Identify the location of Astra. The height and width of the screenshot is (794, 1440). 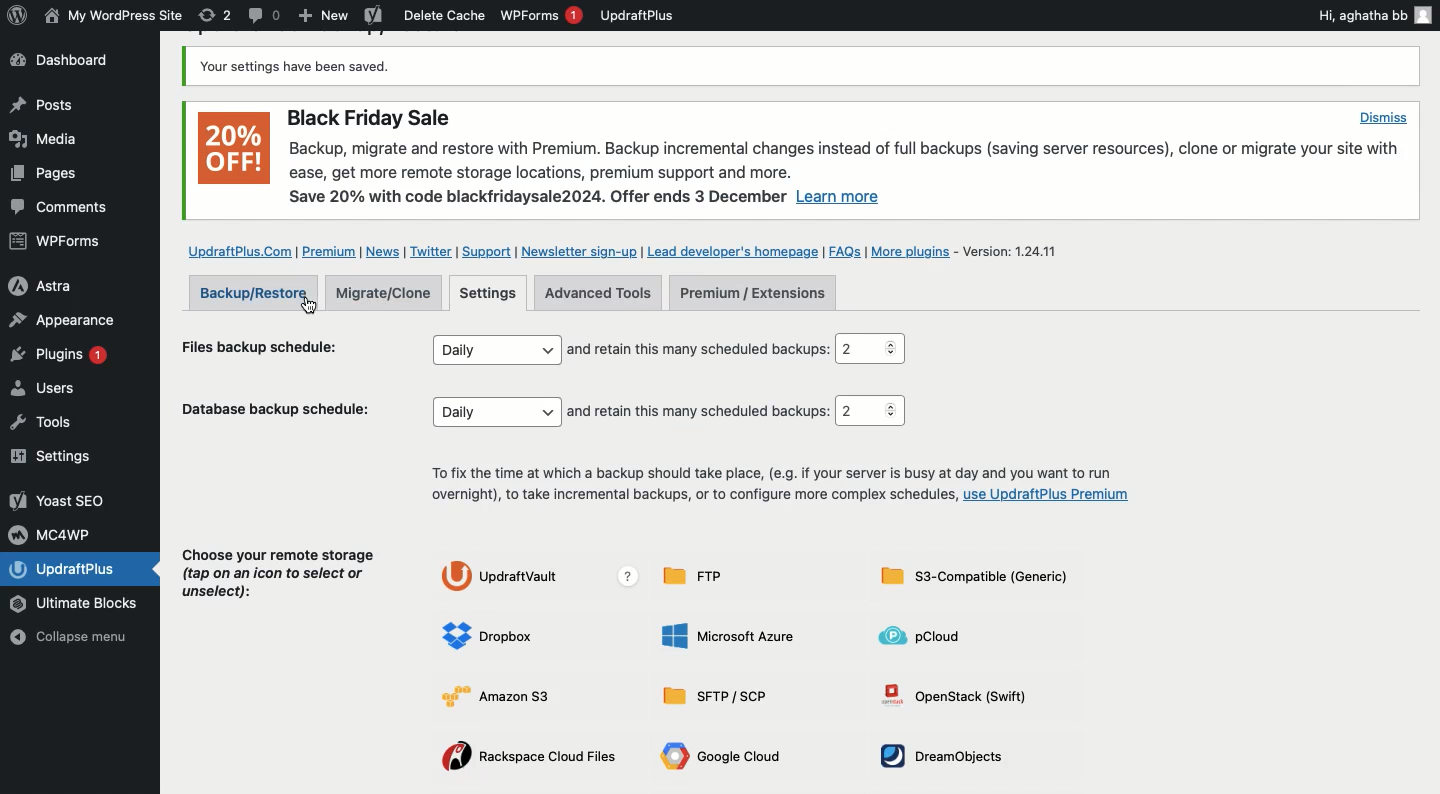
(57, 284).